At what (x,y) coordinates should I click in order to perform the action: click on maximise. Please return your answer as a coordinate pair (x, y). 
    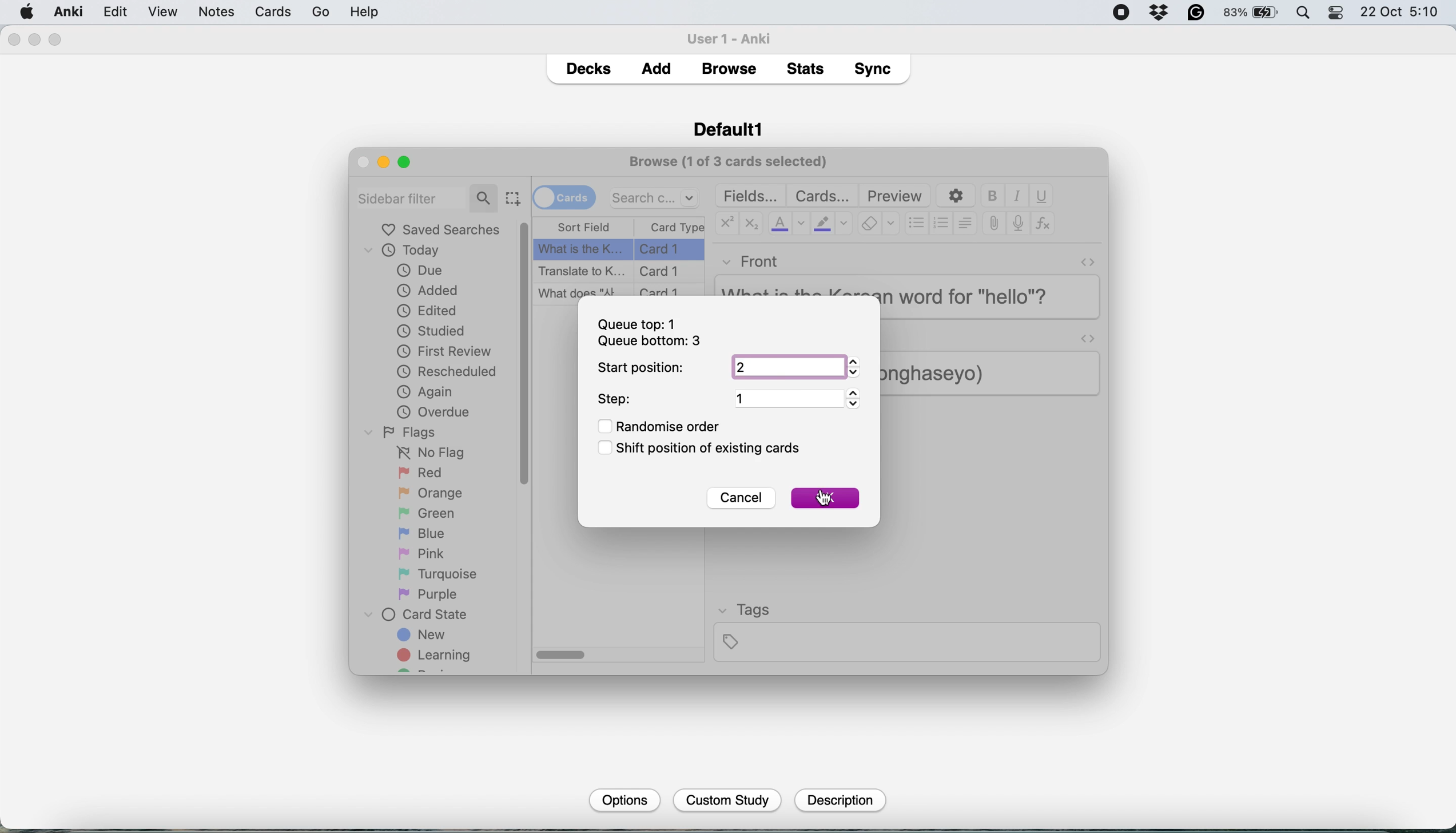
    Looking at the image, I should click on (56, 40).